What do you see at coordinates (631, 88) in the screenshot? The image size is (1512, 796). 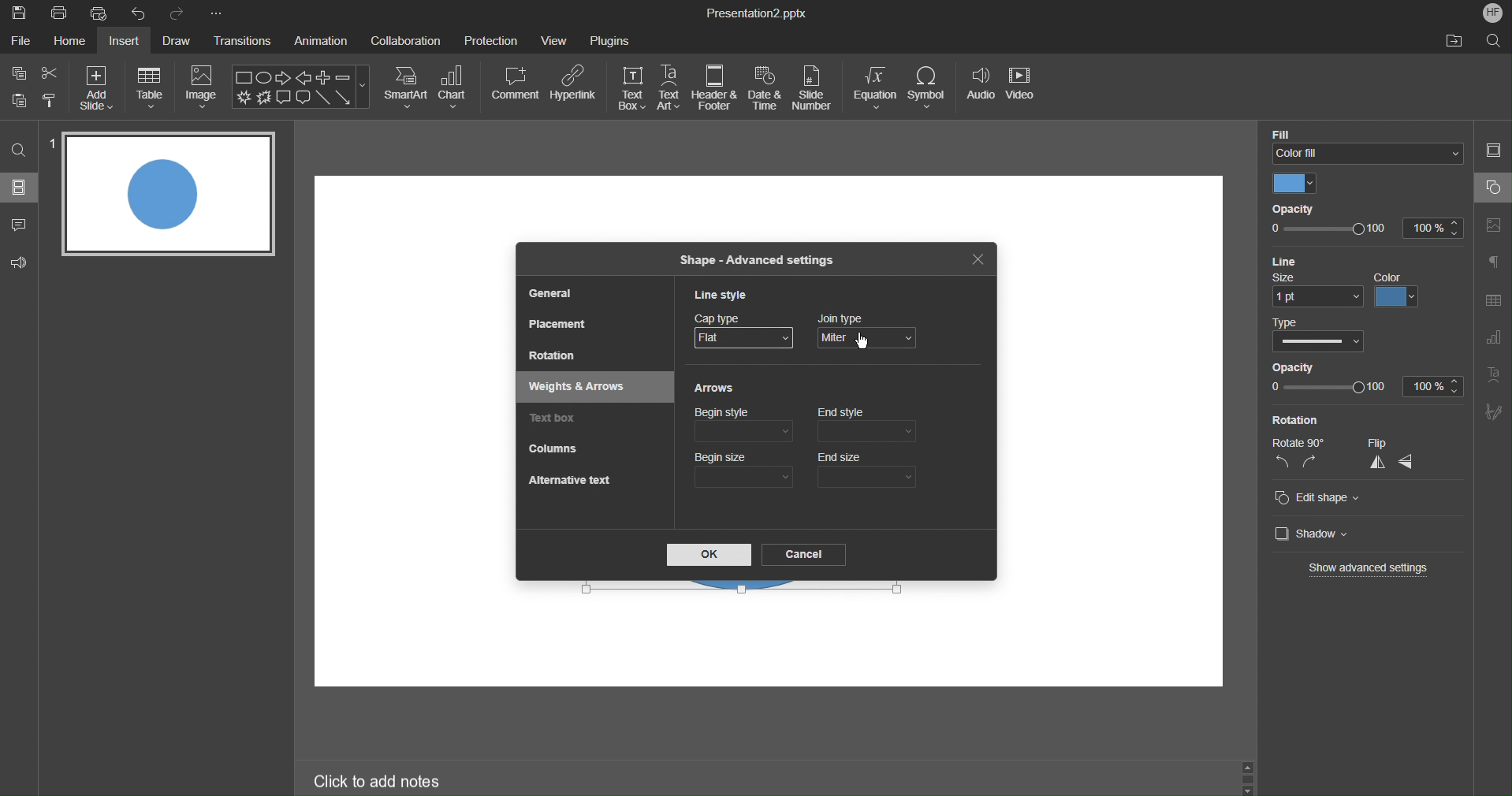 I see `Text Box` at bounding box center [631, 88].